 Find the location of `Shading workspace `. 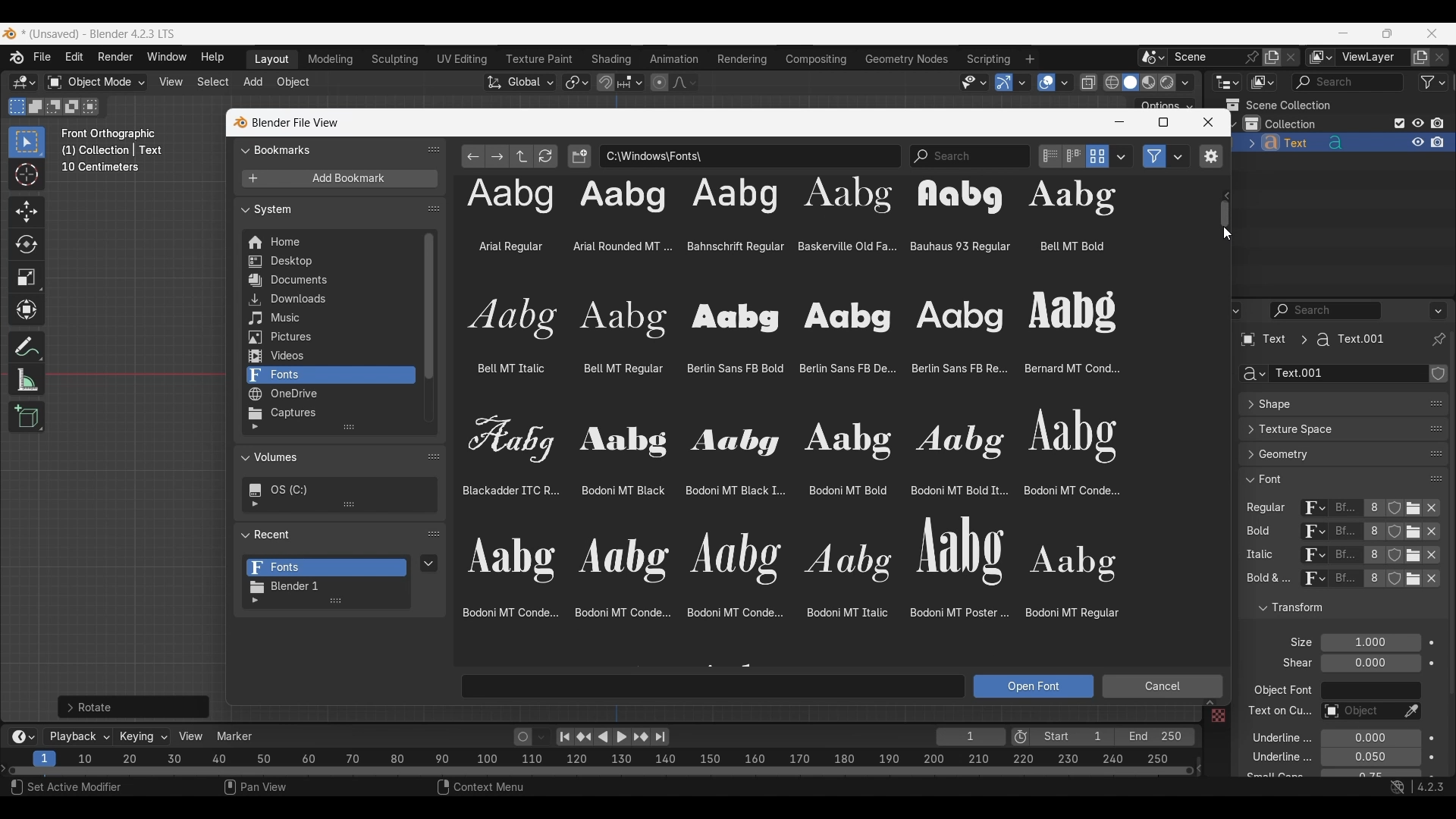

Shading workspace  is located at coordinates (613, 59).